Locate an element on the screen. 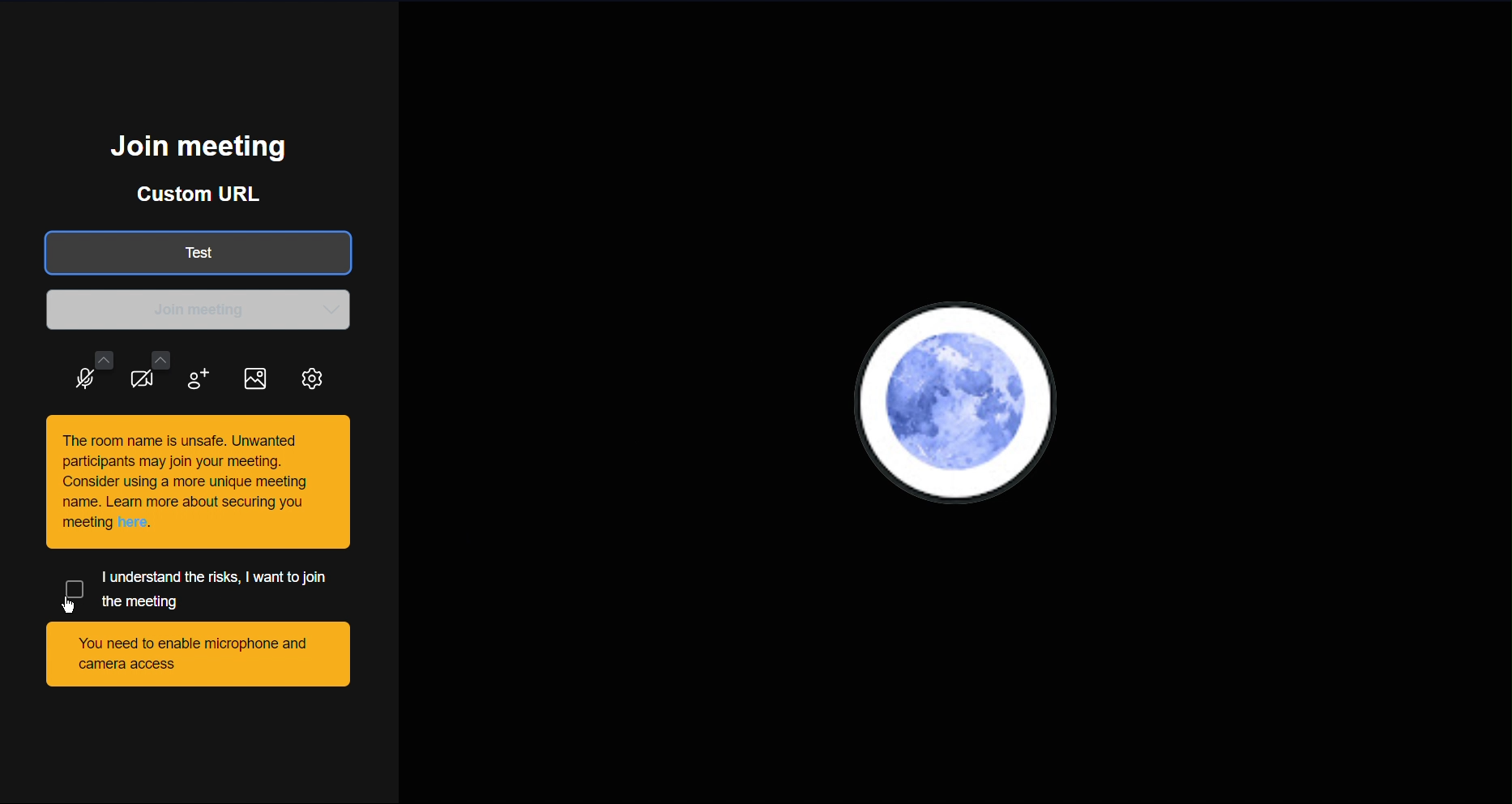  Test is located at coordinates (200, 253).